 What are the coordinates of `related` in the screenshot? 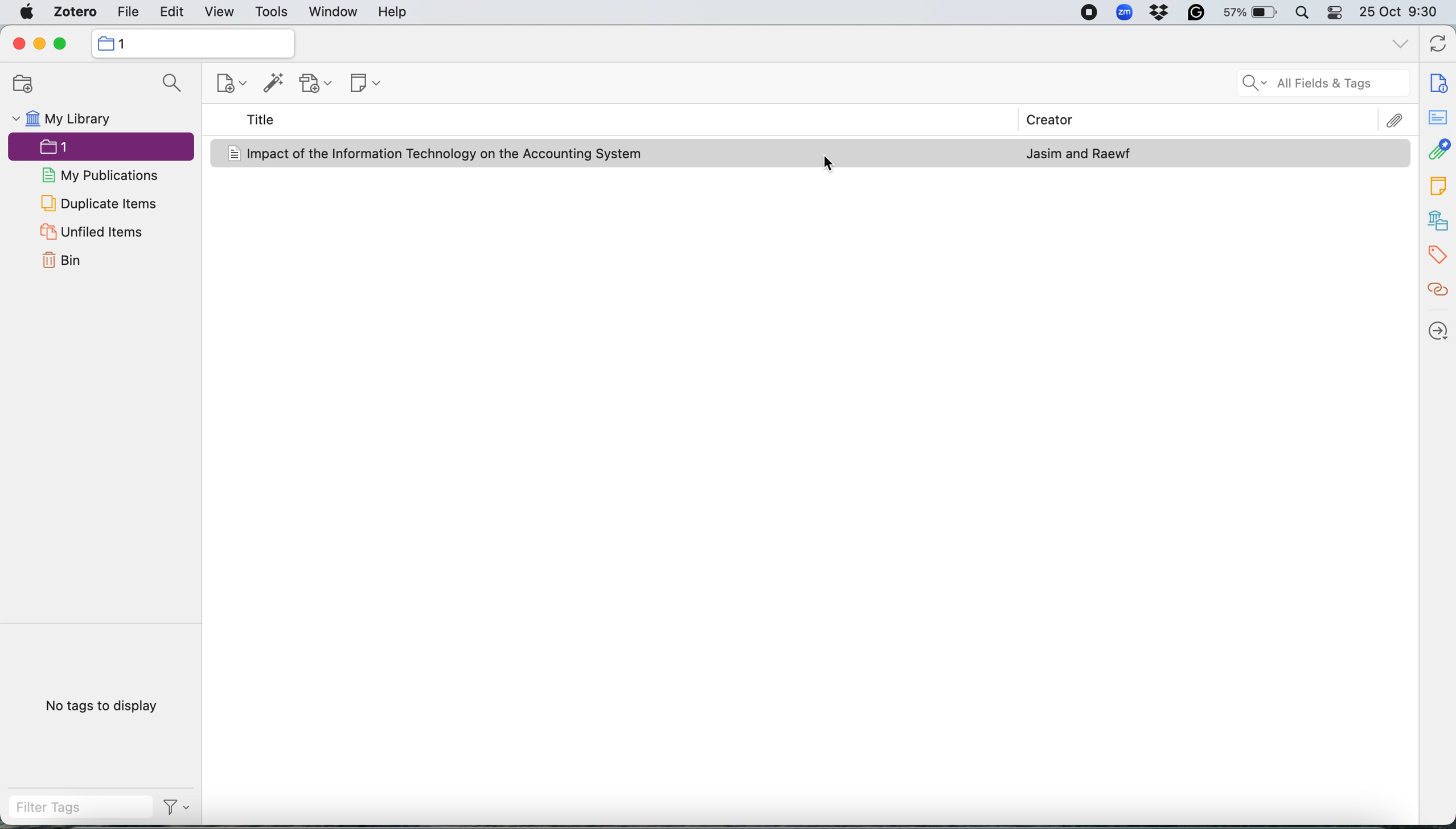 It's located at (1437, 294).